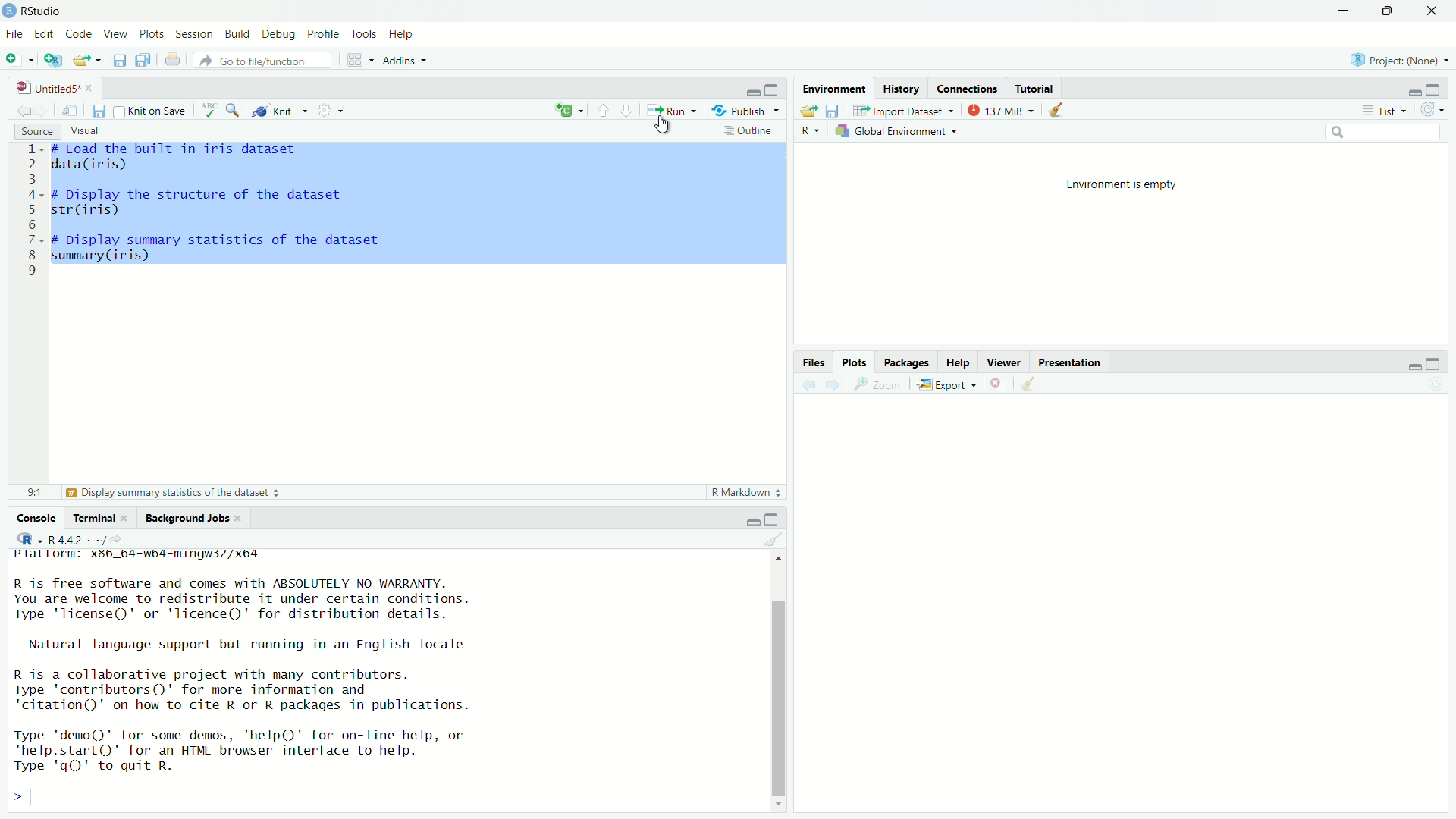 The image size is (1456, 819). Describe the element at coordinates (24, 110) in the screenshot. I see `Go to previous location` at that location.